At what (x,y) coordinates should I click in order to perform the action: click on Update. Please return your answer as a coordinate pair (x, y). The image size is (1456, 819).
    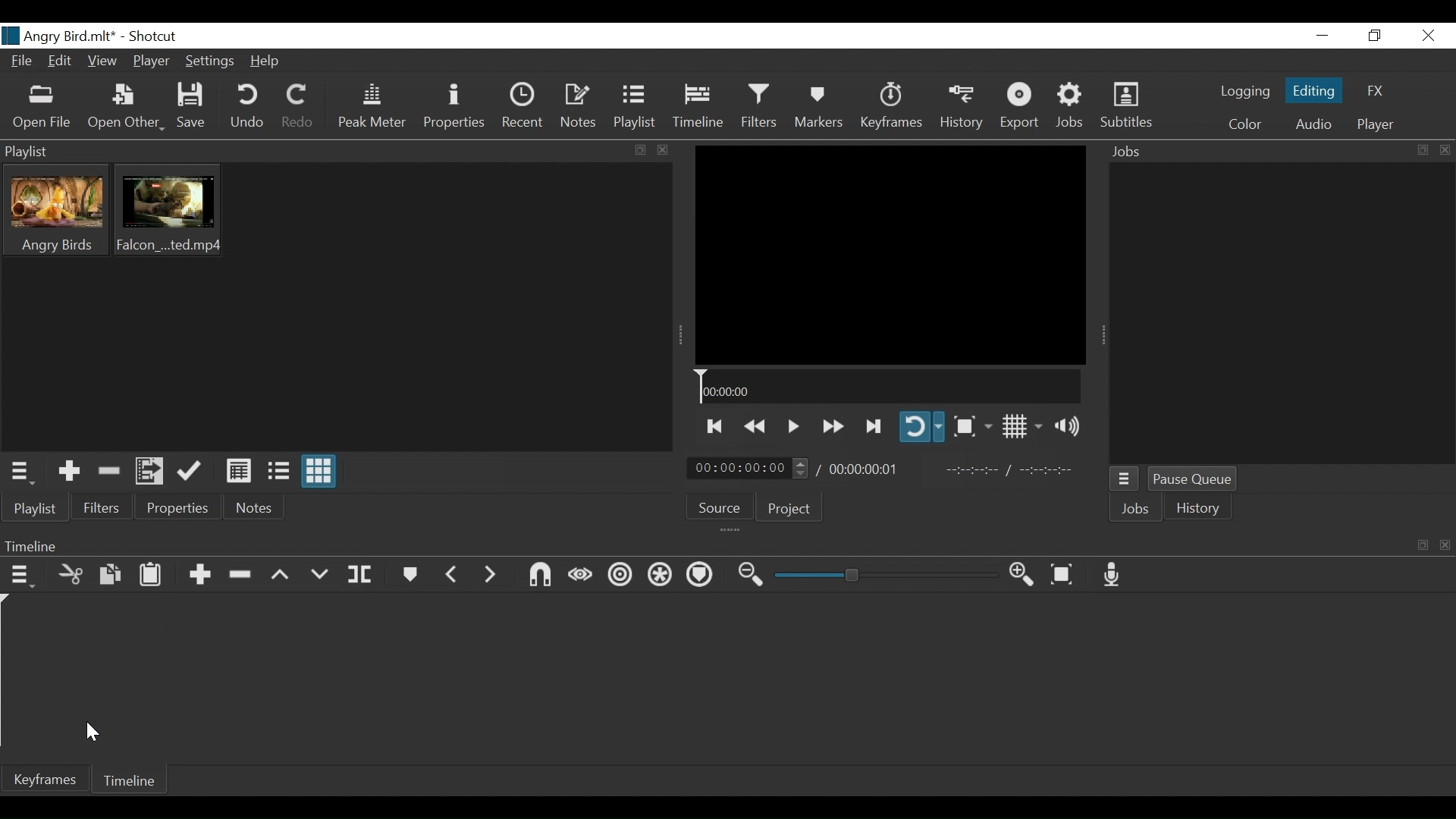
    Looking at the image, I should click on (187, 472).